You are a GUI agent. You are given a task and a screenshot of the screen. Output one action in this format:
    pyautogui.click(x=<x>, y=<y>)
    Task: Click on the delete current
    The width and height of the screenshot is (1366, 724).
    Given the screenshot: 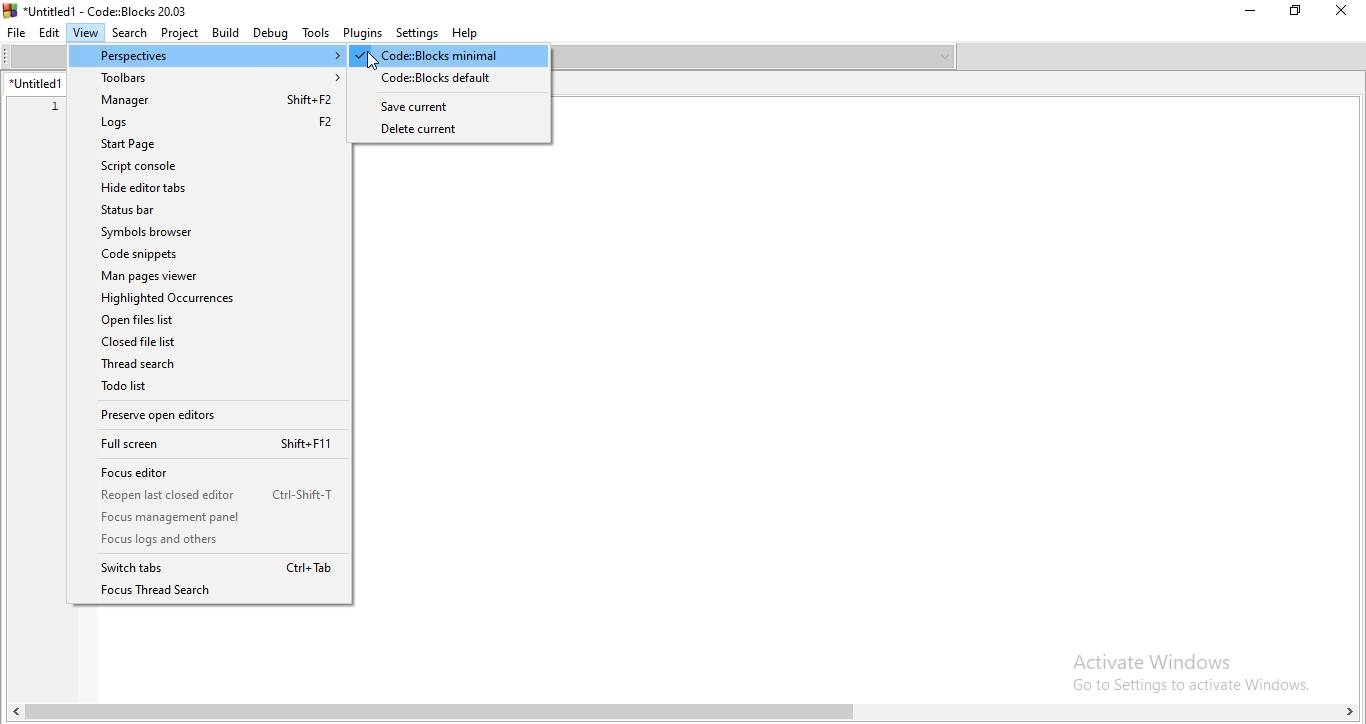 What is the action you would take?
    pyautogui.click(x=456, y=130)
    